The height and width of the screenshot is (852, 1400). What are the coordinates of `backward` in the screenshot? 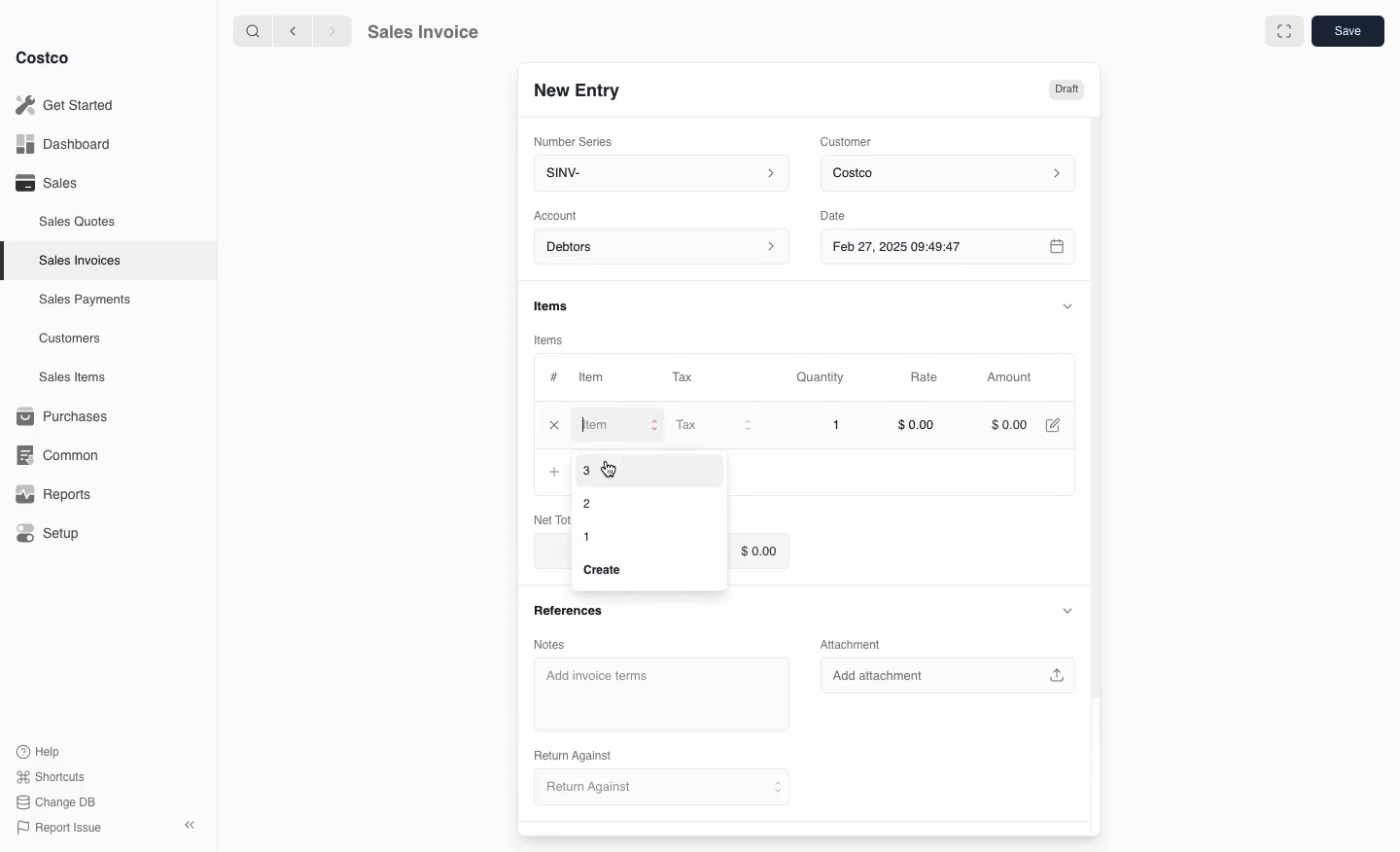 It's located at (289, 30).